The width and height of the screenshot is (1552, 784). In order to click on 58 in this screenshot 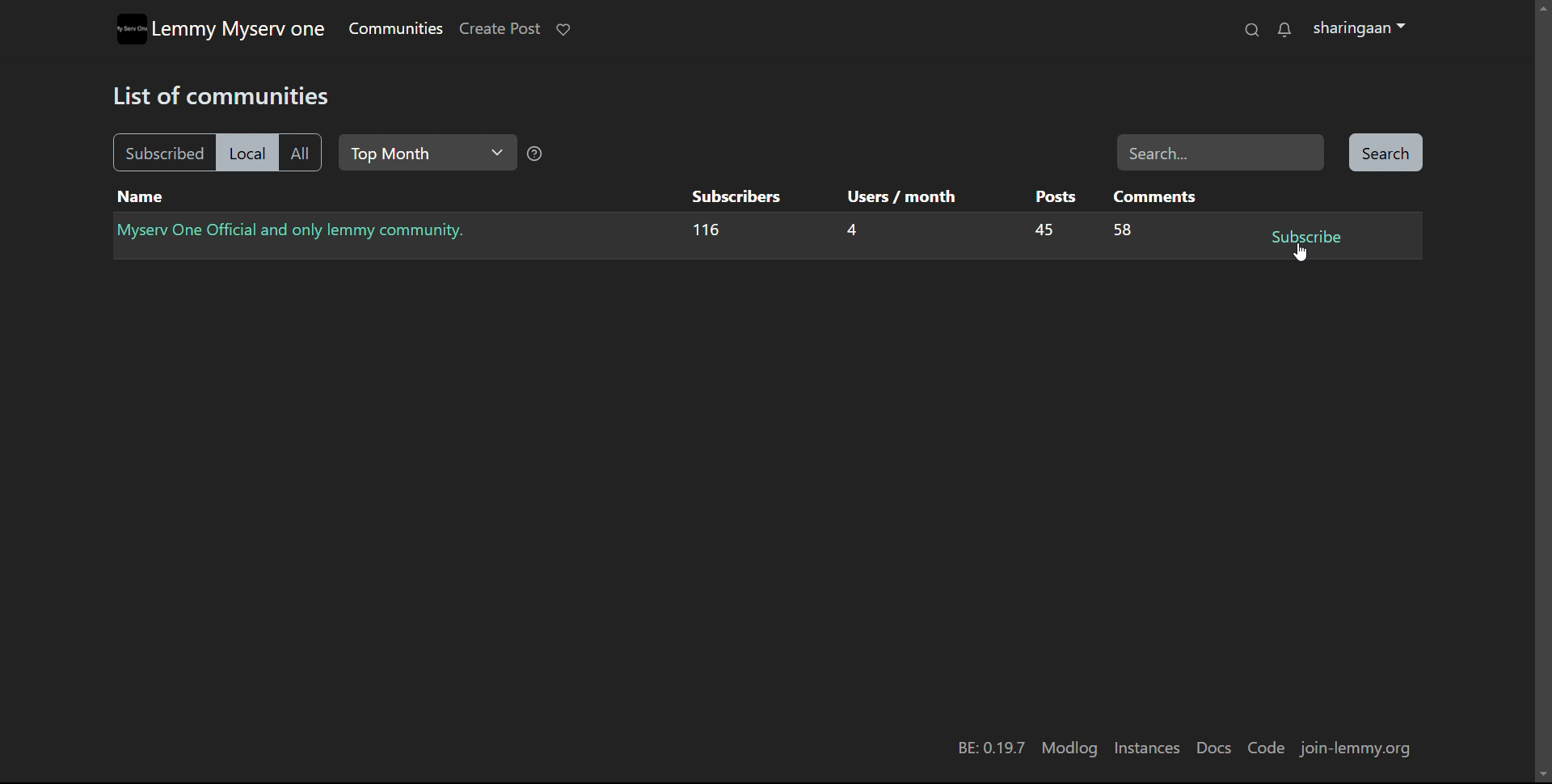, I will do `click(1124, 232)`.